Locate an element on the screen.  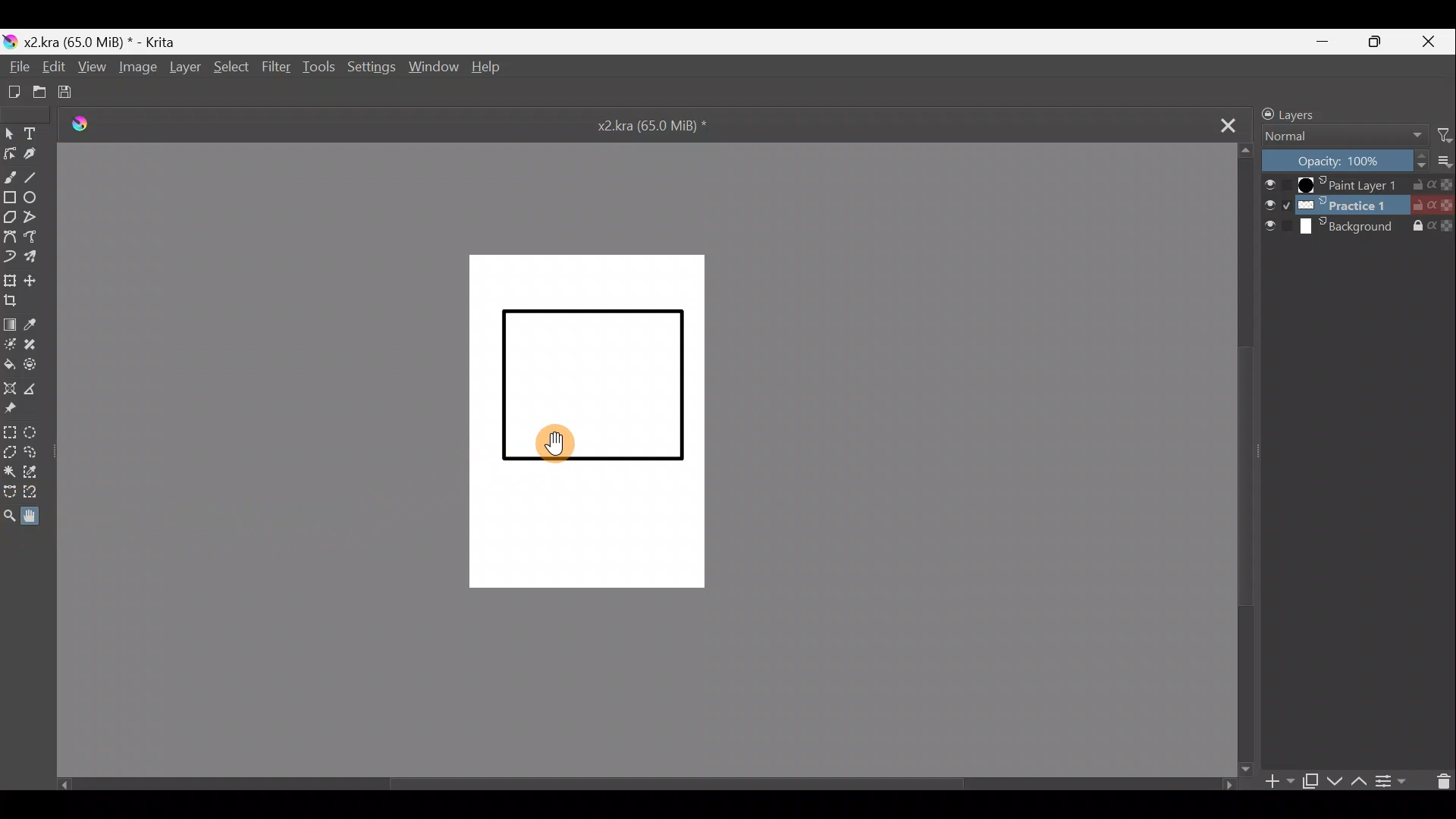
Maximize is located at coordinates (1376, 42).